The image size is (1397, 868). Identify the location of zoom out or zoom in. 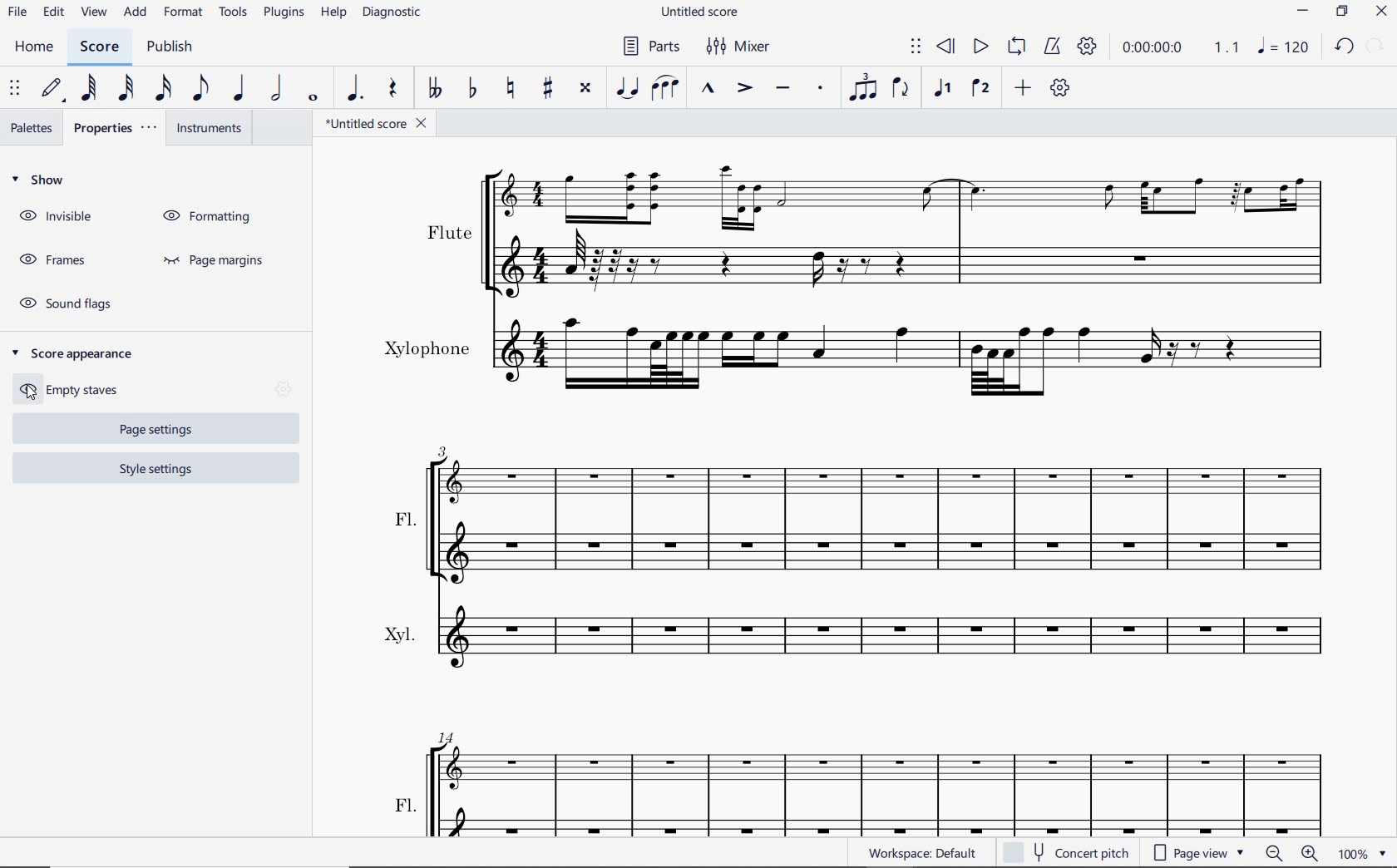
(1292, 853).